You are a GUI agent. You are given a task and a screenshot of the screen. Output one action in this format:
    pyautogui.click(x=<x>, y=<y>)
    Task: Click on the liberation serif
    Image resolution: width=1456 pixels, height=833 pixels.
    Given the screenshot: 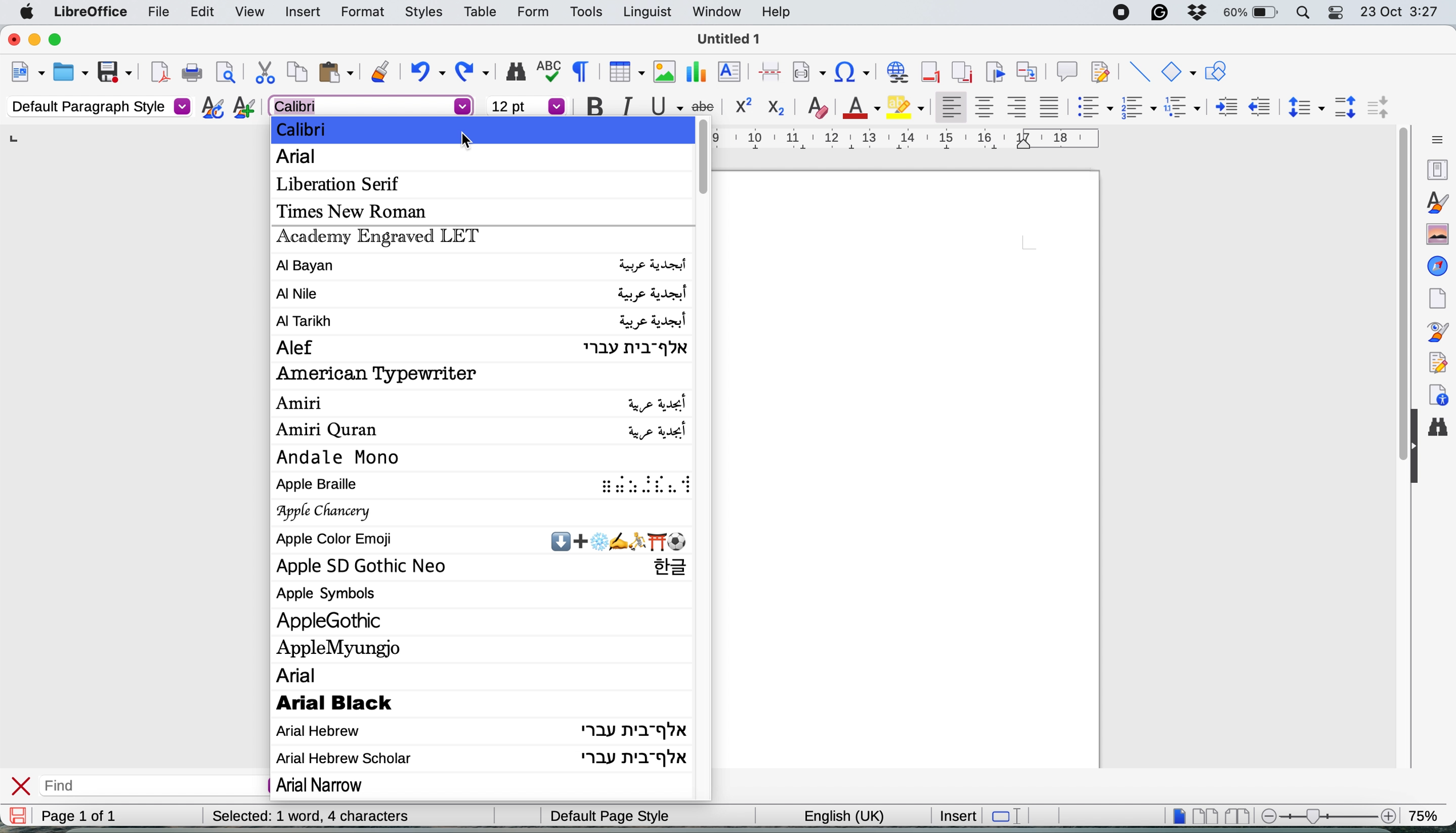 What is the action you would take?
    pyautogui.click(x=345, y=184)
    